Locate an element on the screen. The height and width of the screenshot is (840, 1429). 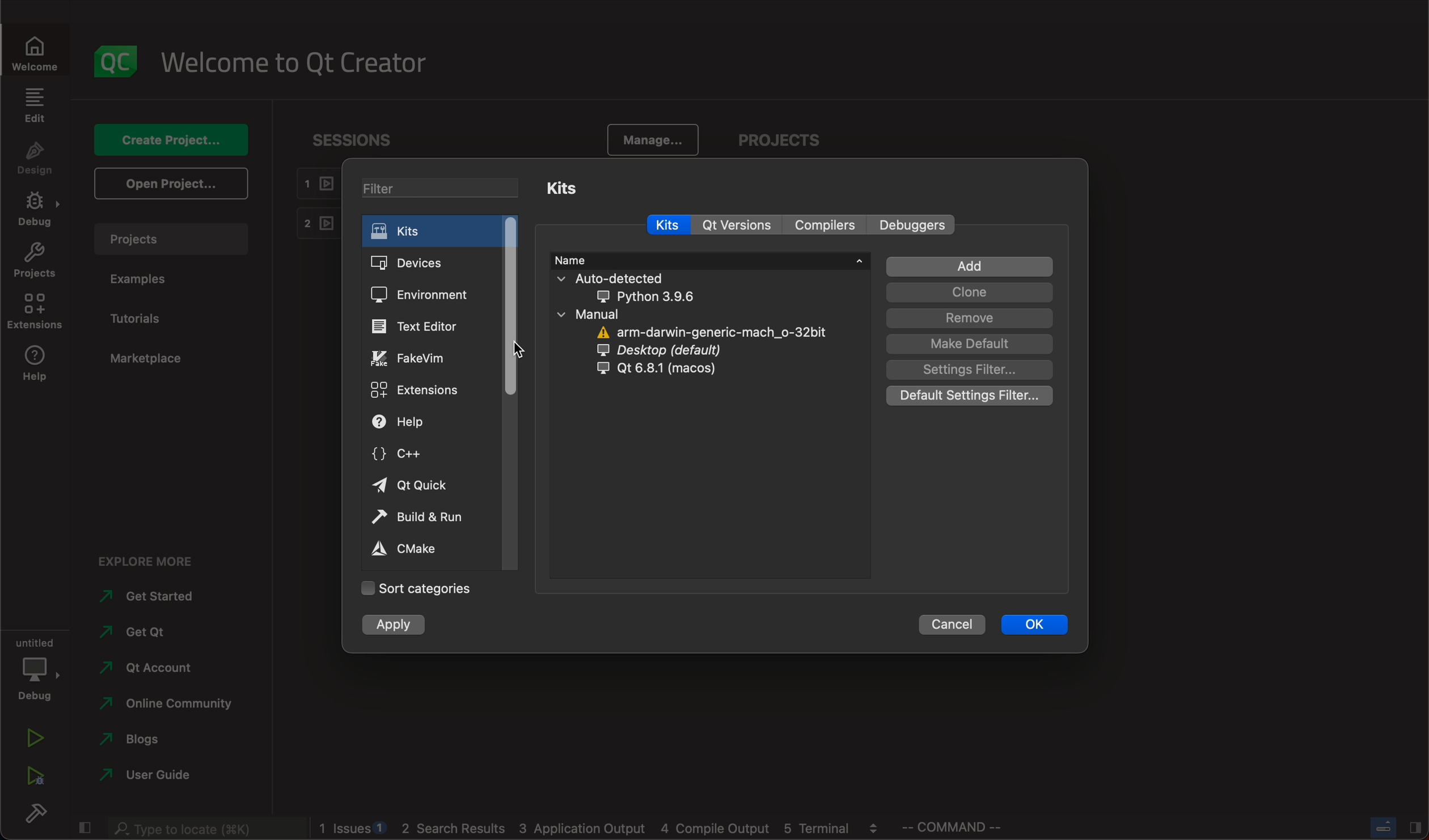
c++ is located at coordinates (413, 454).